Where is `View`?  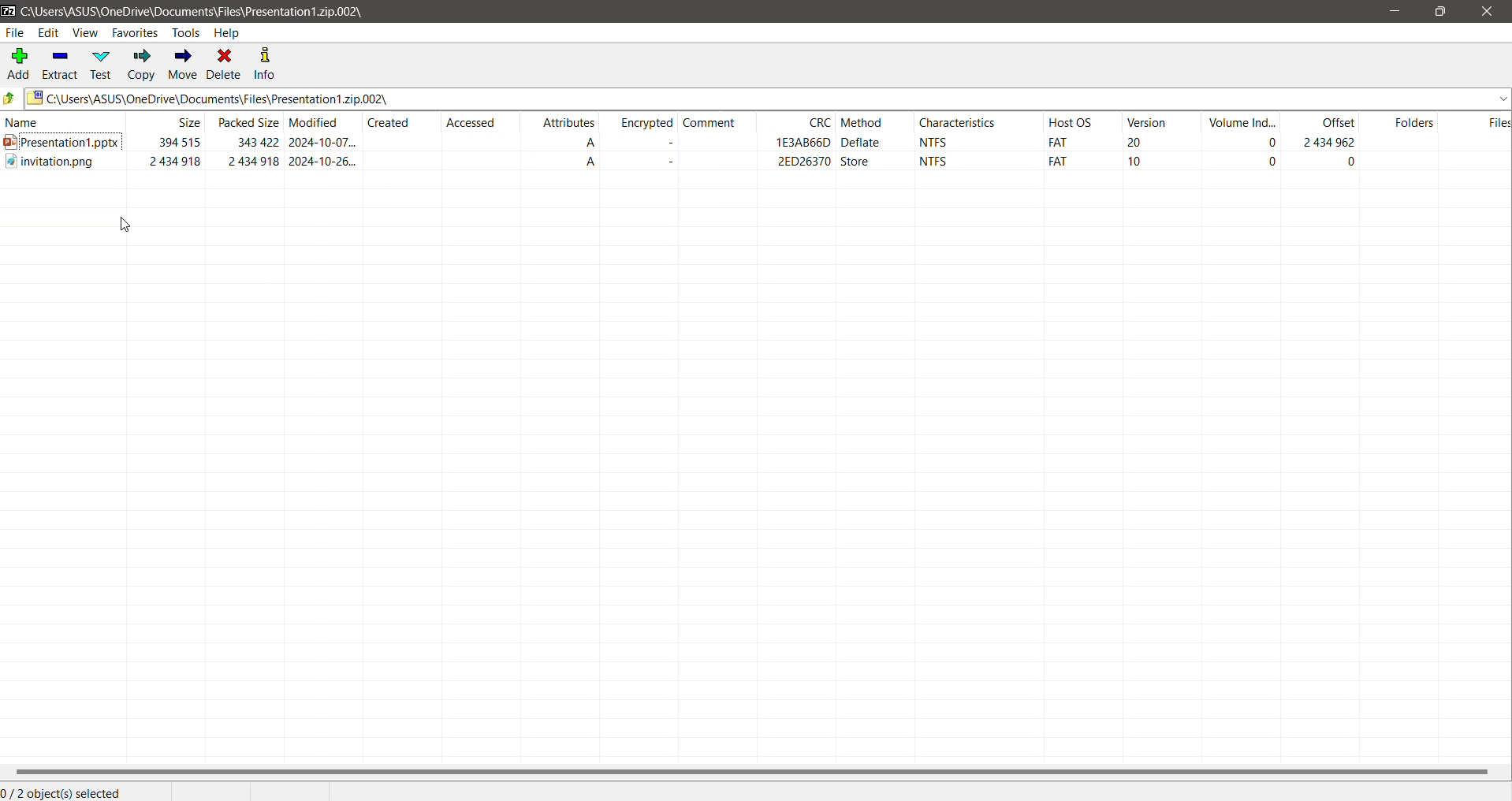
View is located at coordinates (85, 32).